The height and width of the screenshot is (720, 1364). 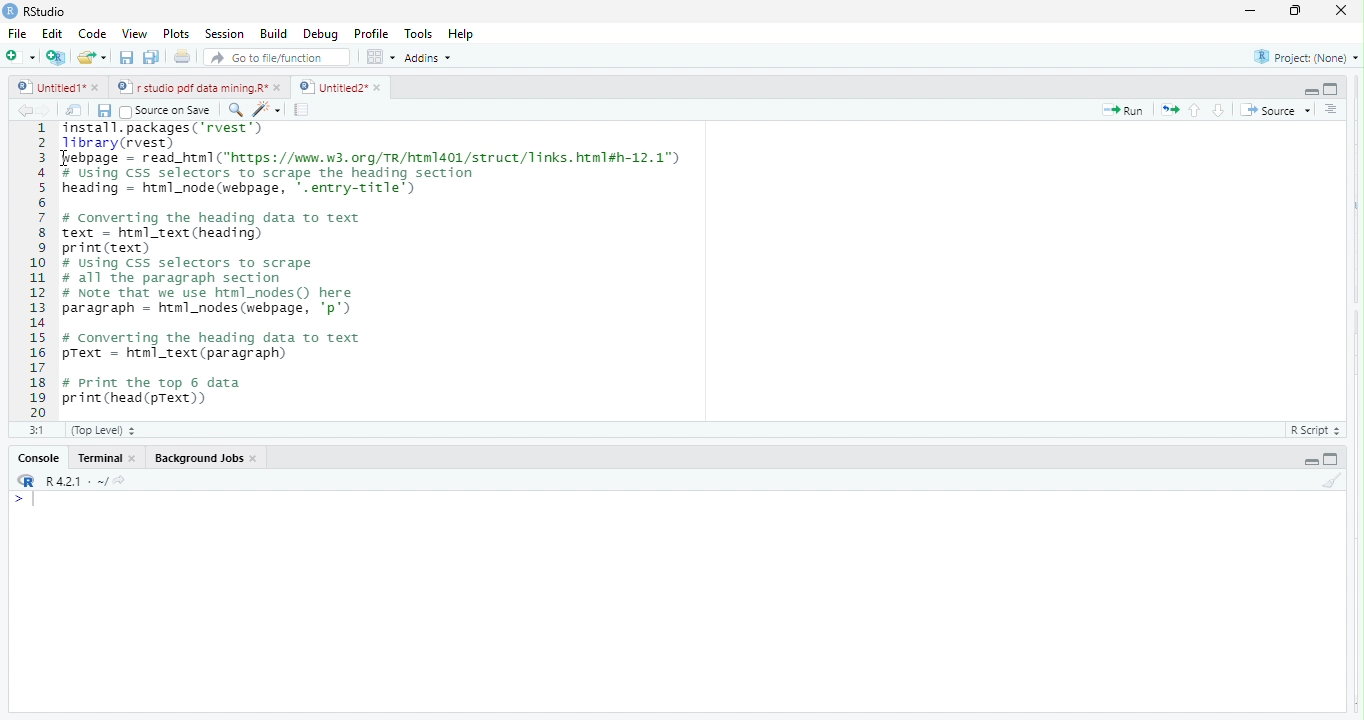 What do you see at coordinates (175, 34) in the screenshot?
I see `Plots` at bounding box center [175, 34].